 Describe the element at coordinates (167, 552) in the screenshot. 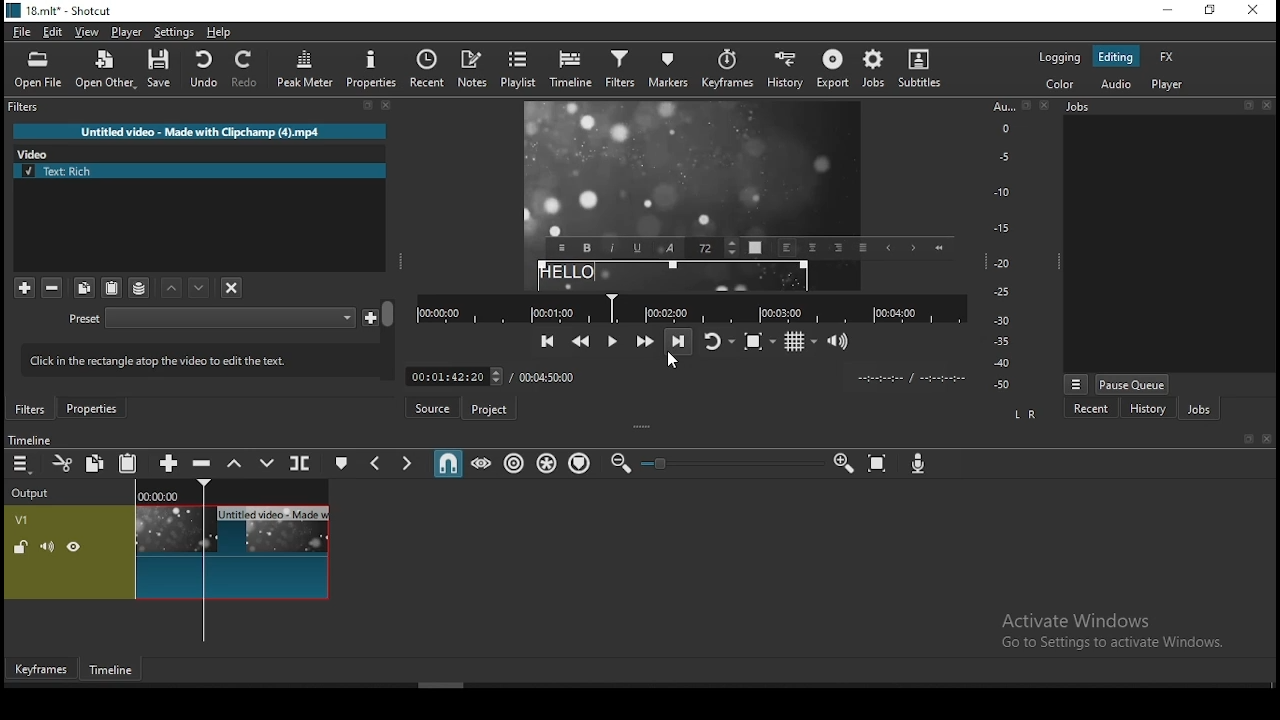

I see `video track` at that location.